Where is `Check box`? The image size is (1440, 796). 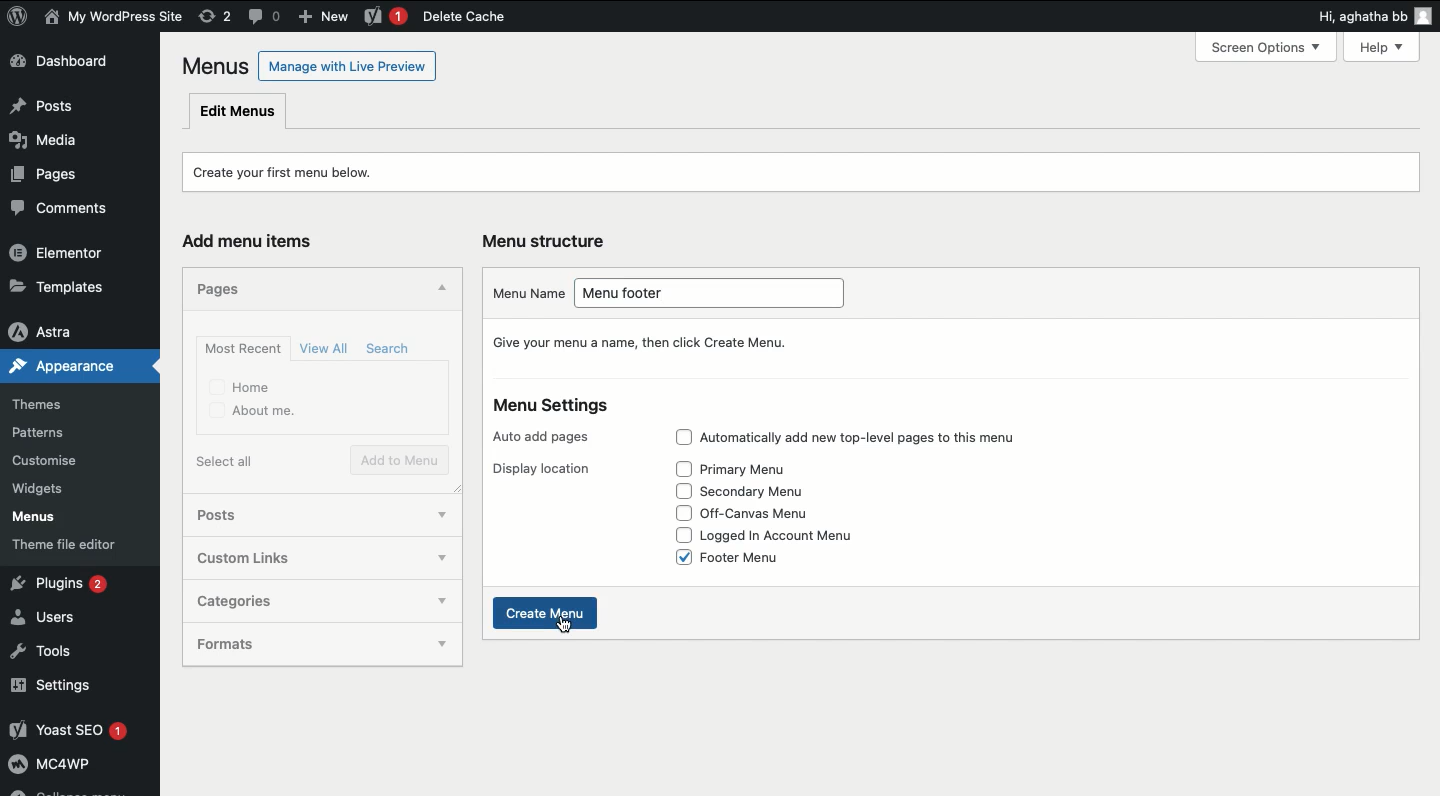 Check box is located at coordinates (677, 536).